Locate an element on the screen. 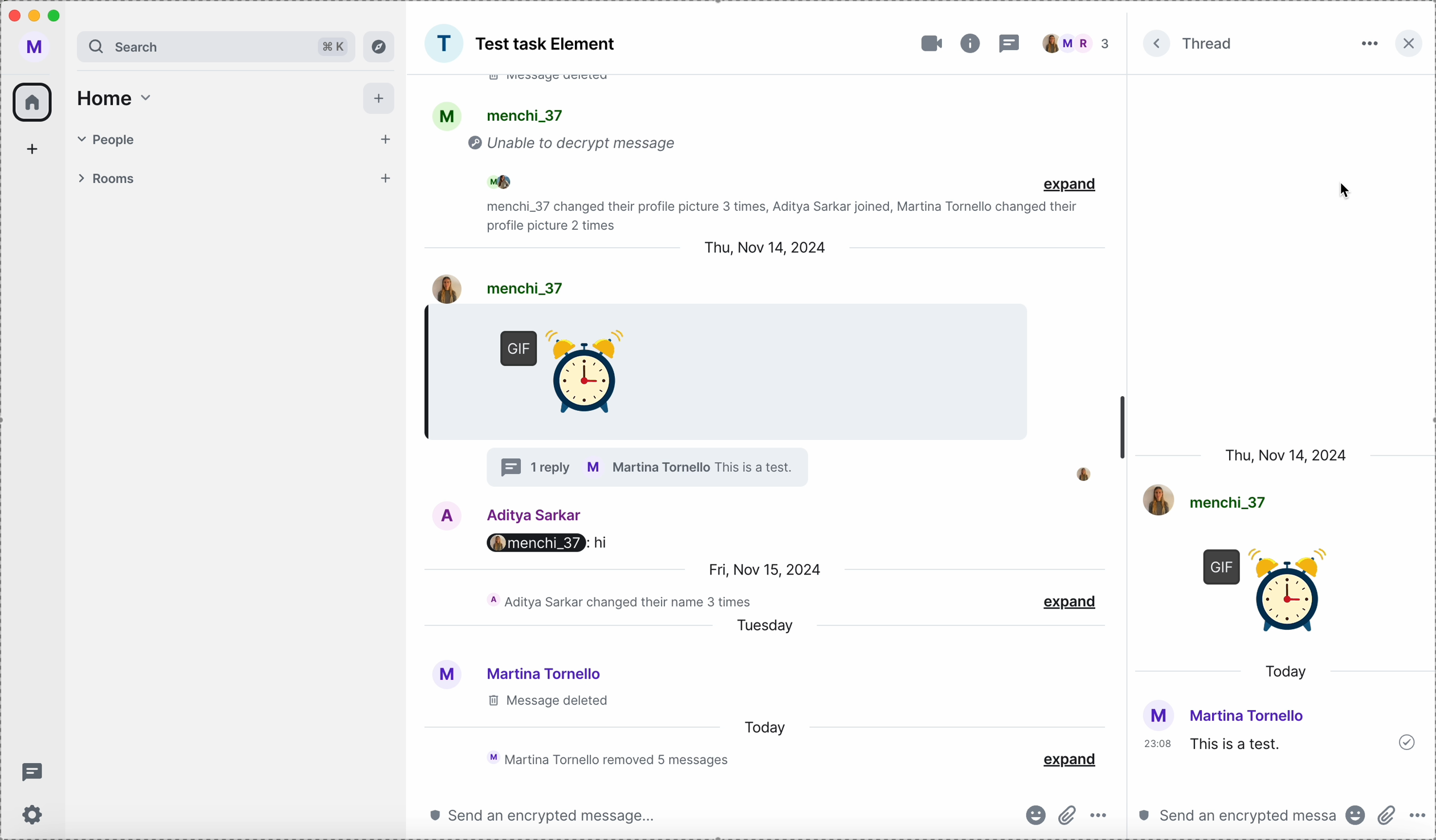 The height and width of the screenshot is (840, 1436). user is located at coordinates (515, 671).